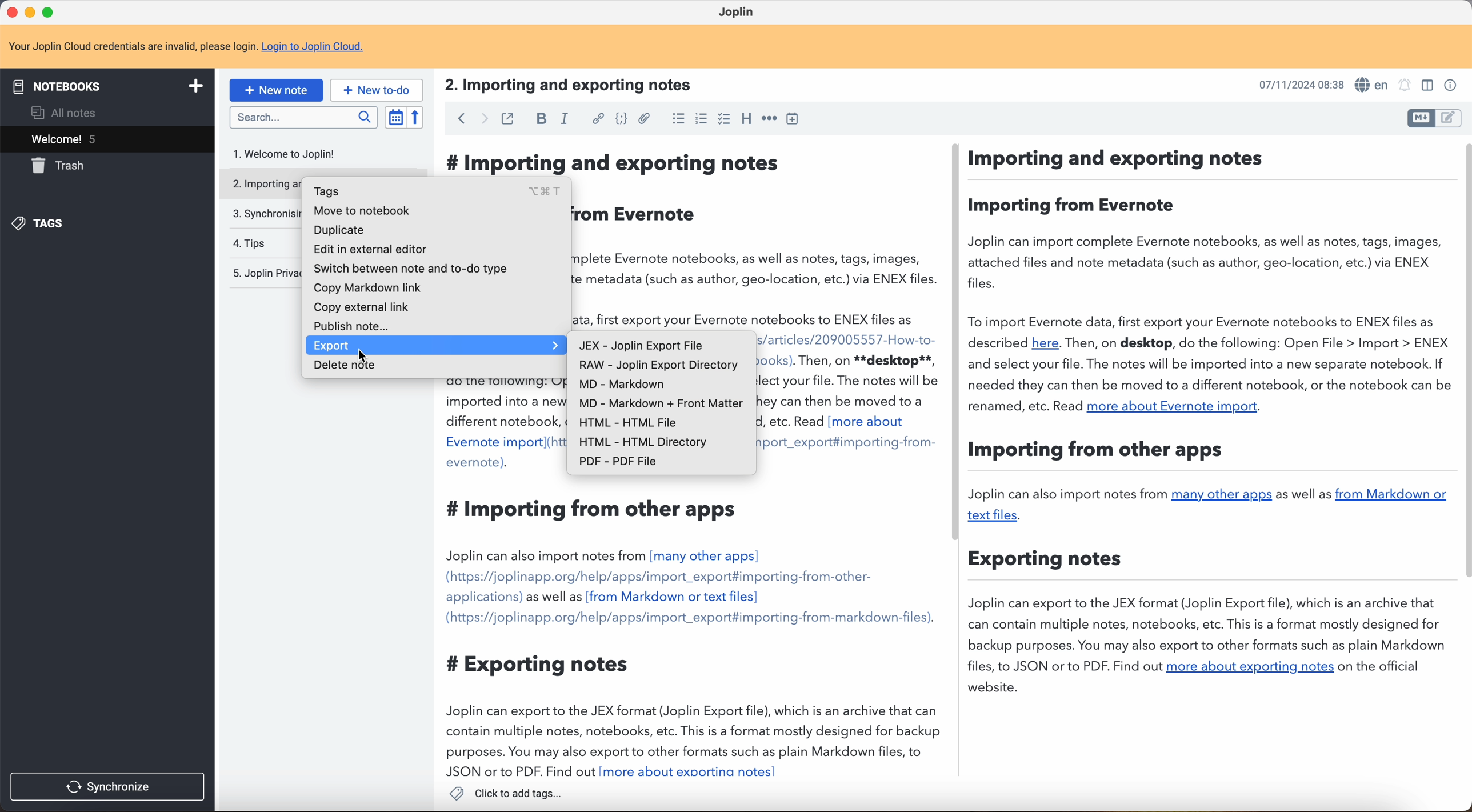  Describe the element at coordinates (1295, 84) in the screenshot. I see `21/12/2024 21:23` at that location.